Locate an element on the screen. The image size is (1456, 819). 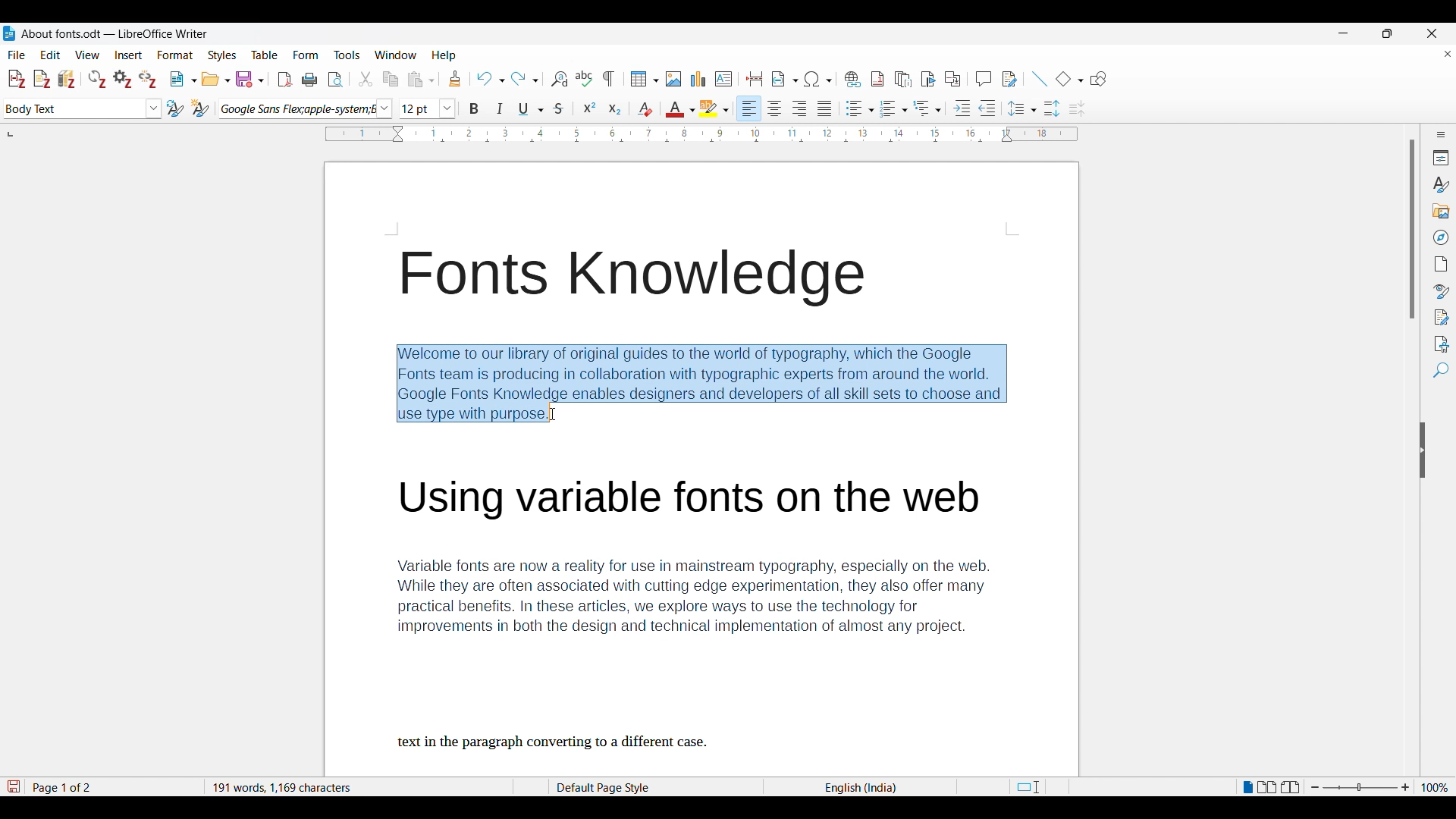
Set document preferences is located at coordinates (122, 79).